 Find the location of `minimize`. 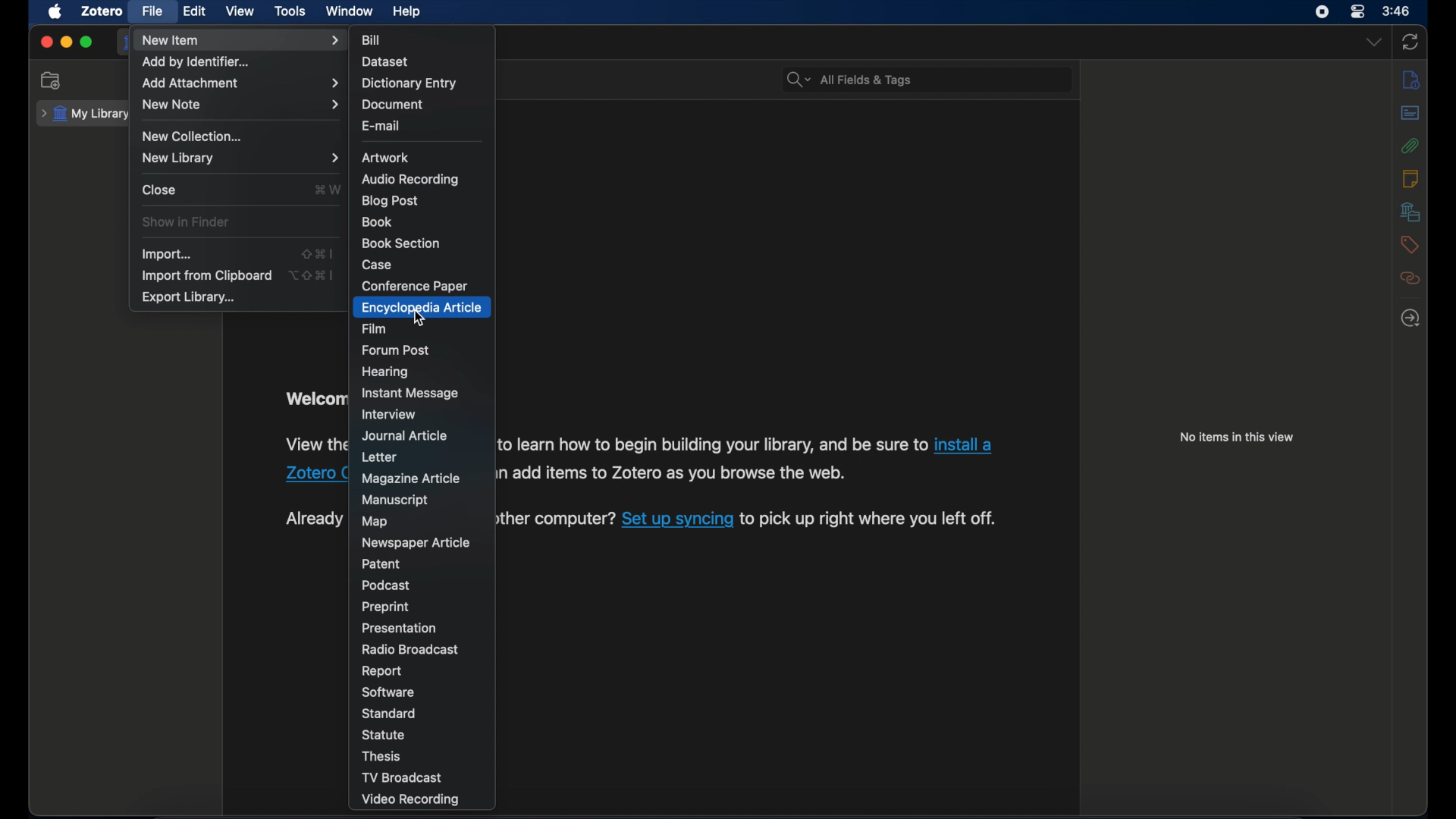

minimize is located at coordinates (65, 42).